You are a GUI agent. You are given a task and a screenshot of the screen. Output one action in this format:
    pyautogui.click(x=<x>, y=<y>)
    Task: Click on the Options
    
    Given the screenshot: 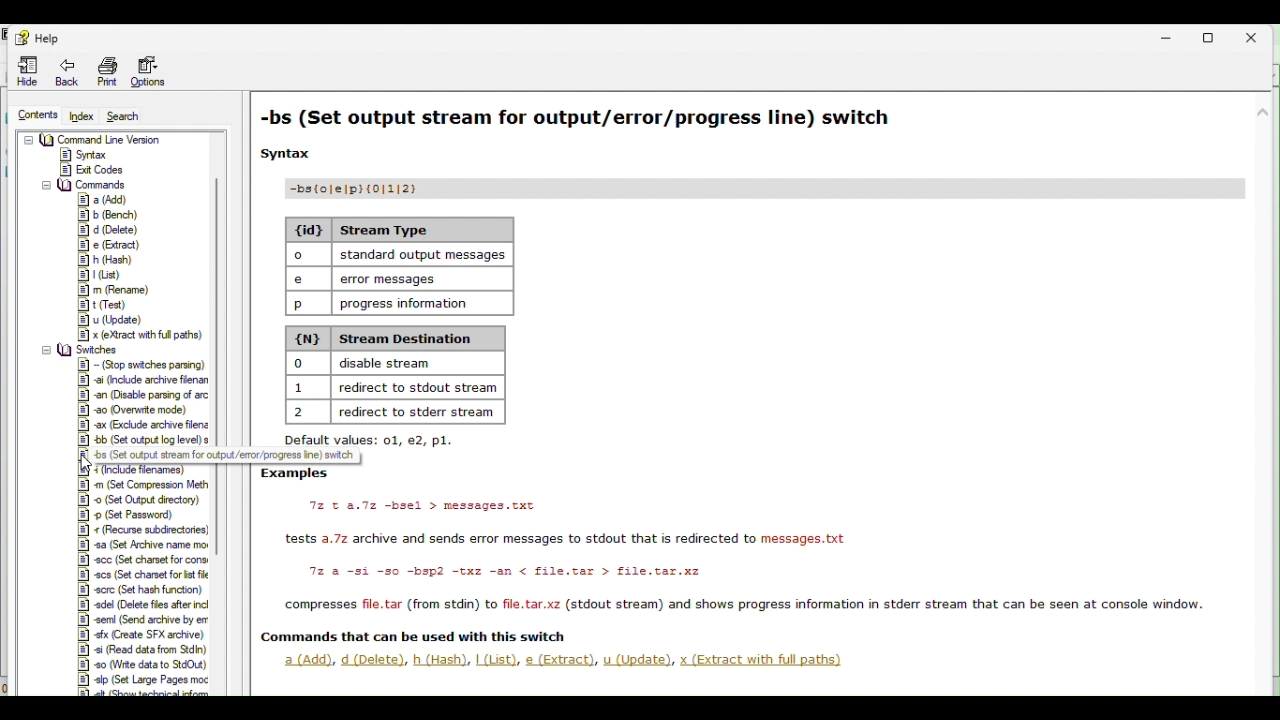 What is the action you would take?
    pyautogui.click(x=156, y=74)
    